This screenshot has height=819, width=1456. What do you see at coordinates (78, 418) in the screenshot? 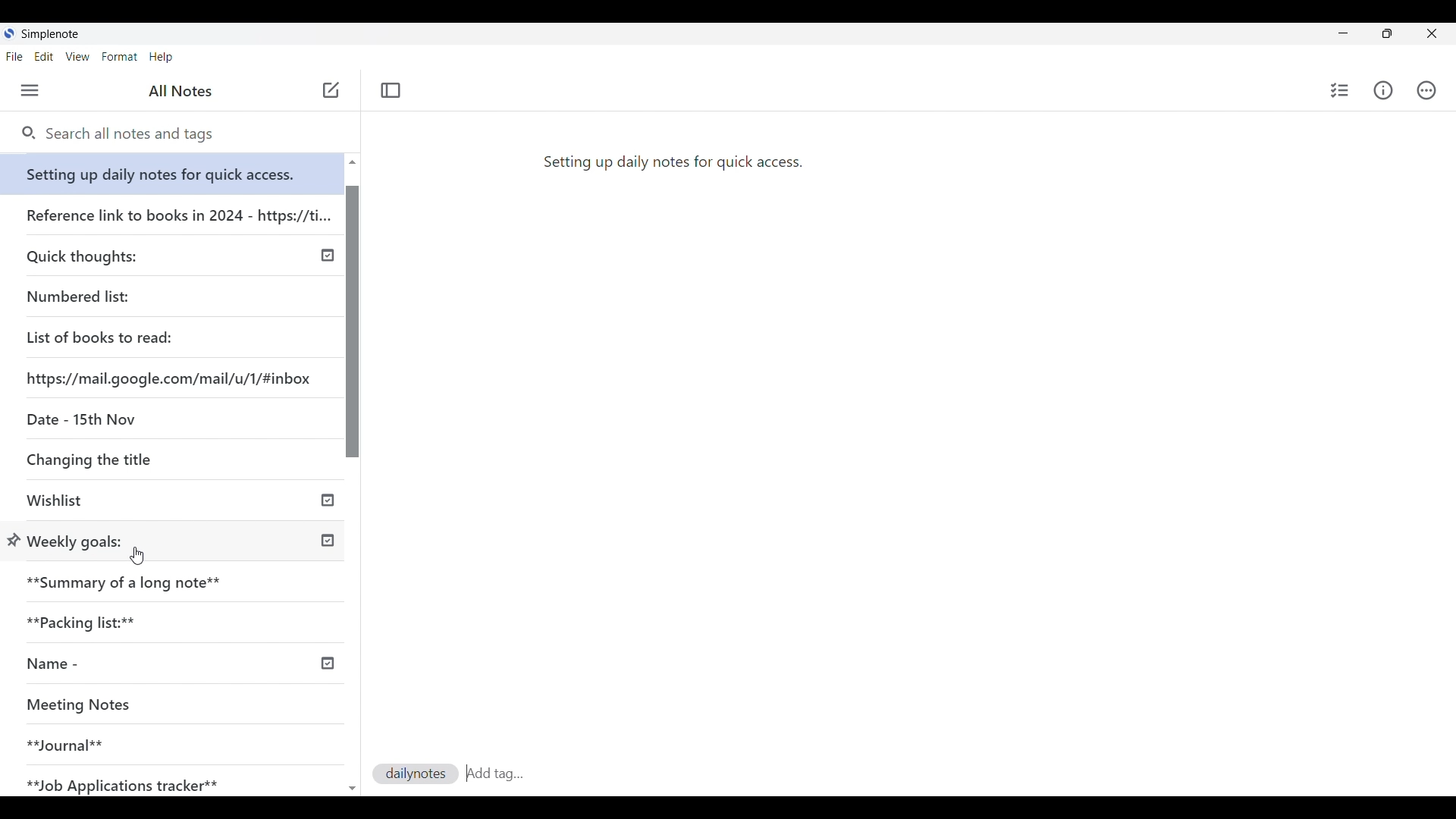
I see `Date` at bounding box center [78, 418].